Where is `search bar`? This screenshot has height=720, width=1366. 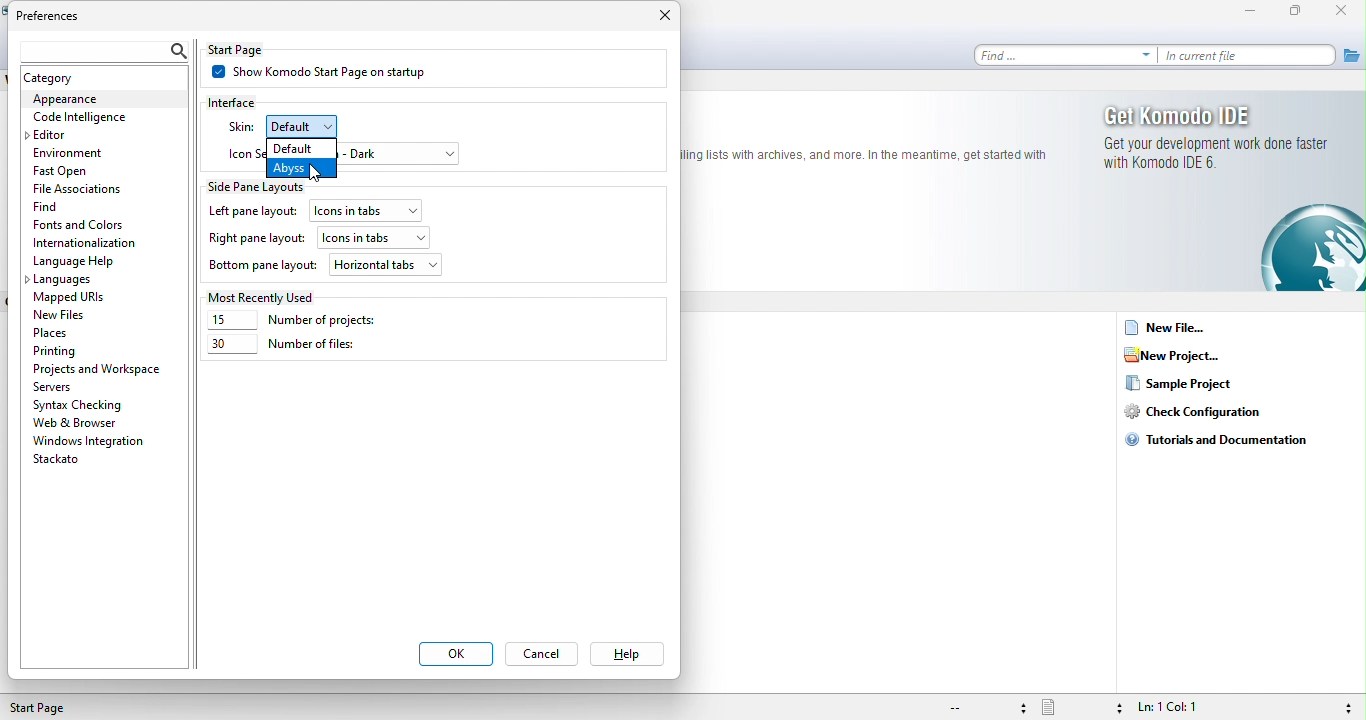
search bar is located at coordinates (100, 48).